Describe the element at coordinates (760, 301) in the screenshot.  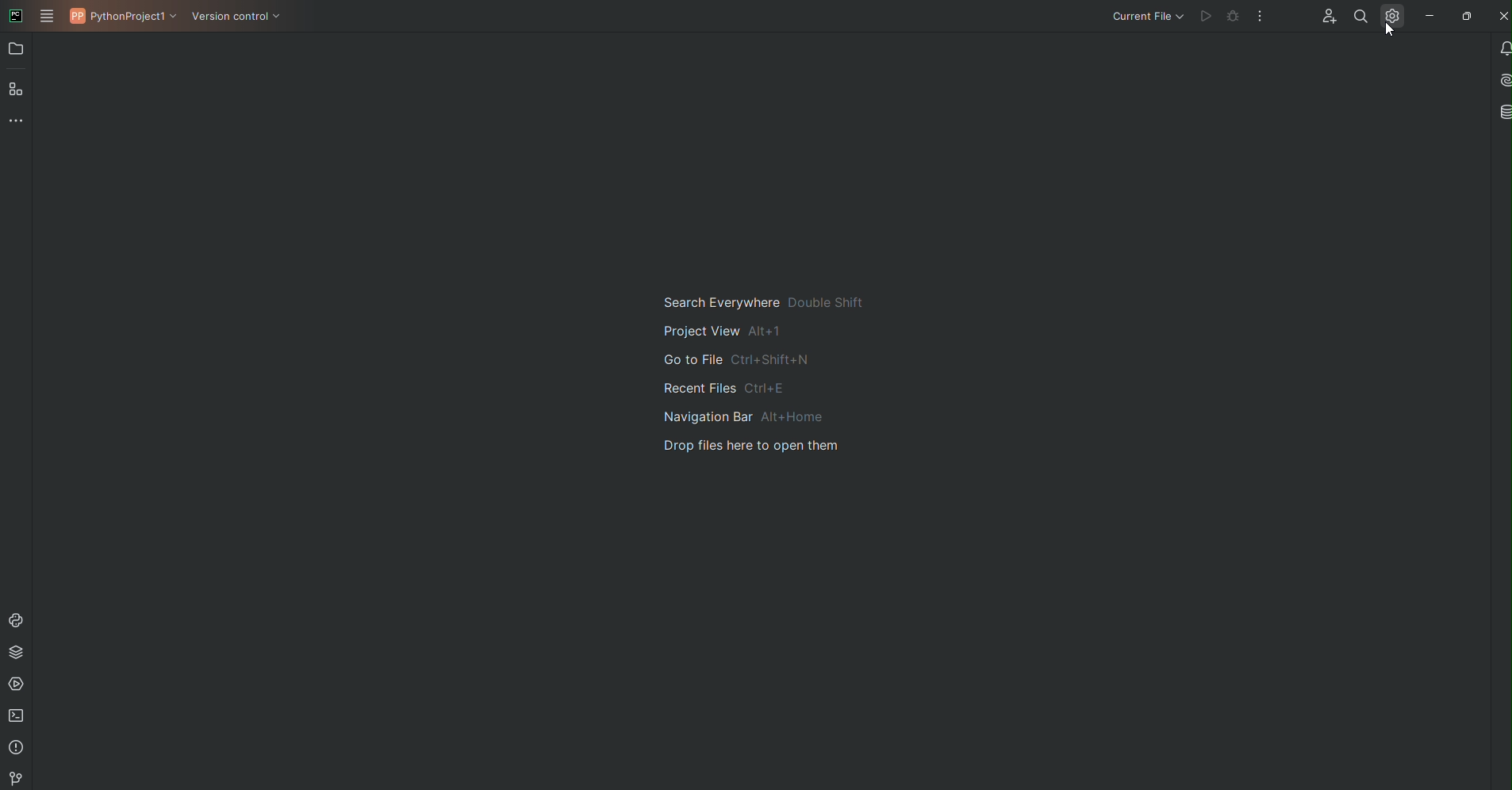
I see `search everywhere` at that location.